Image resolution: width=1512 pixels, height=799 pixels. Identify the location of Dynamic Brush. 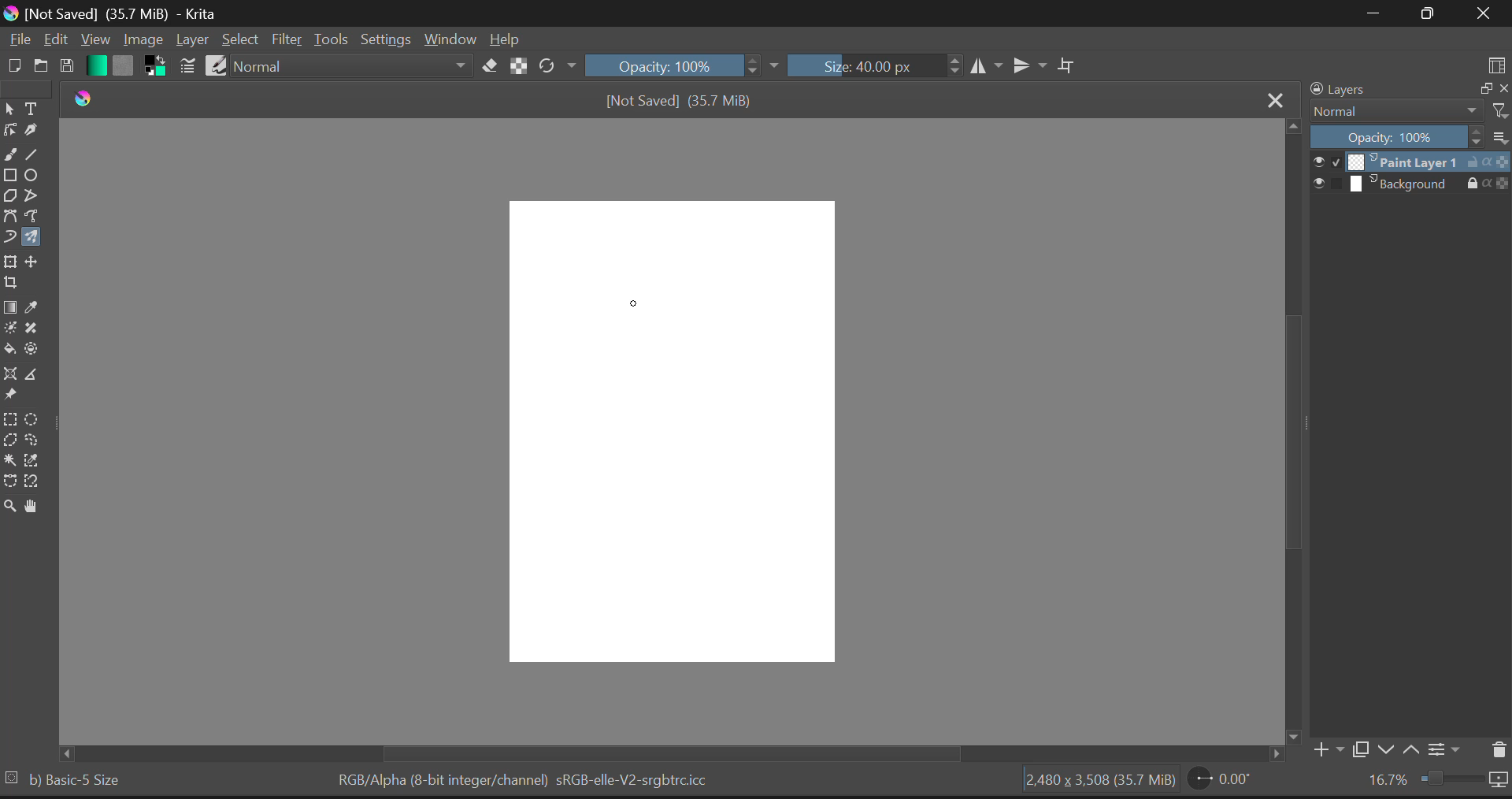
(9, 237).